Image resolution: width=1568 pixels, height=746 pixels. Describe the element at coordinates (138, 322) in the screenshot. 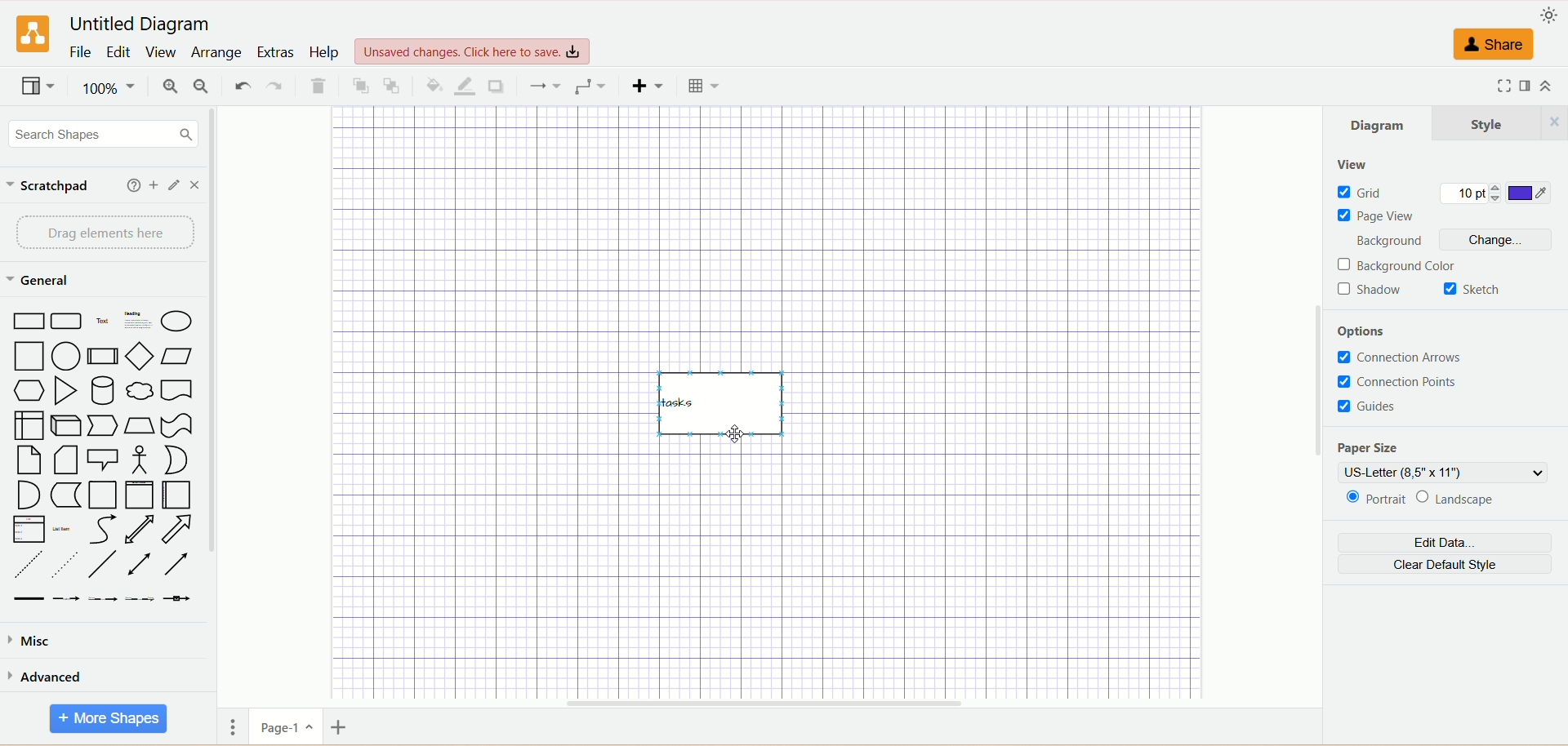

I see `Heading with Text` at that location.